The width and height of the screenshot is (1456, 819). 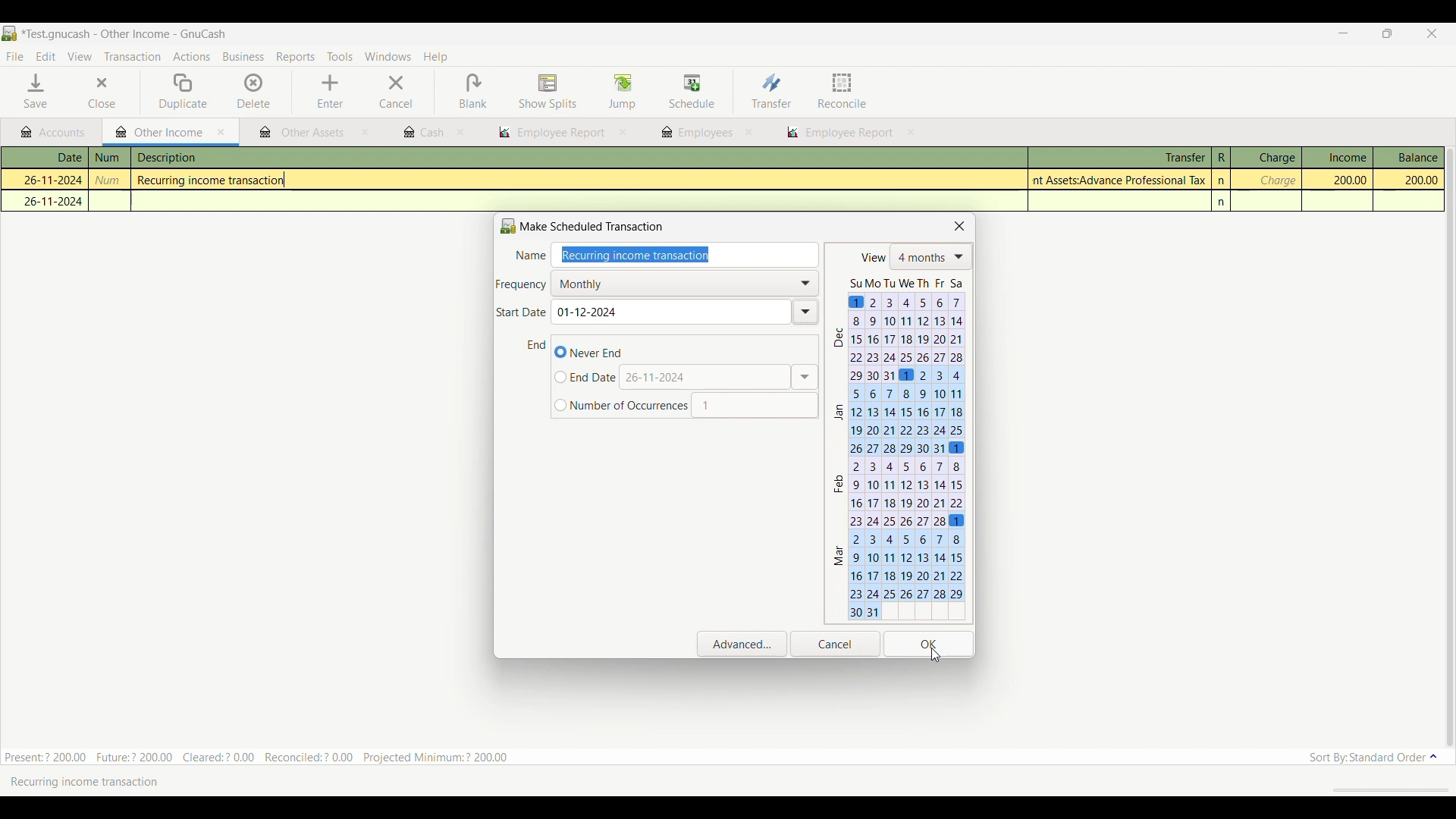 I want to click on 26-11-2024, so click(x=49, y=201).